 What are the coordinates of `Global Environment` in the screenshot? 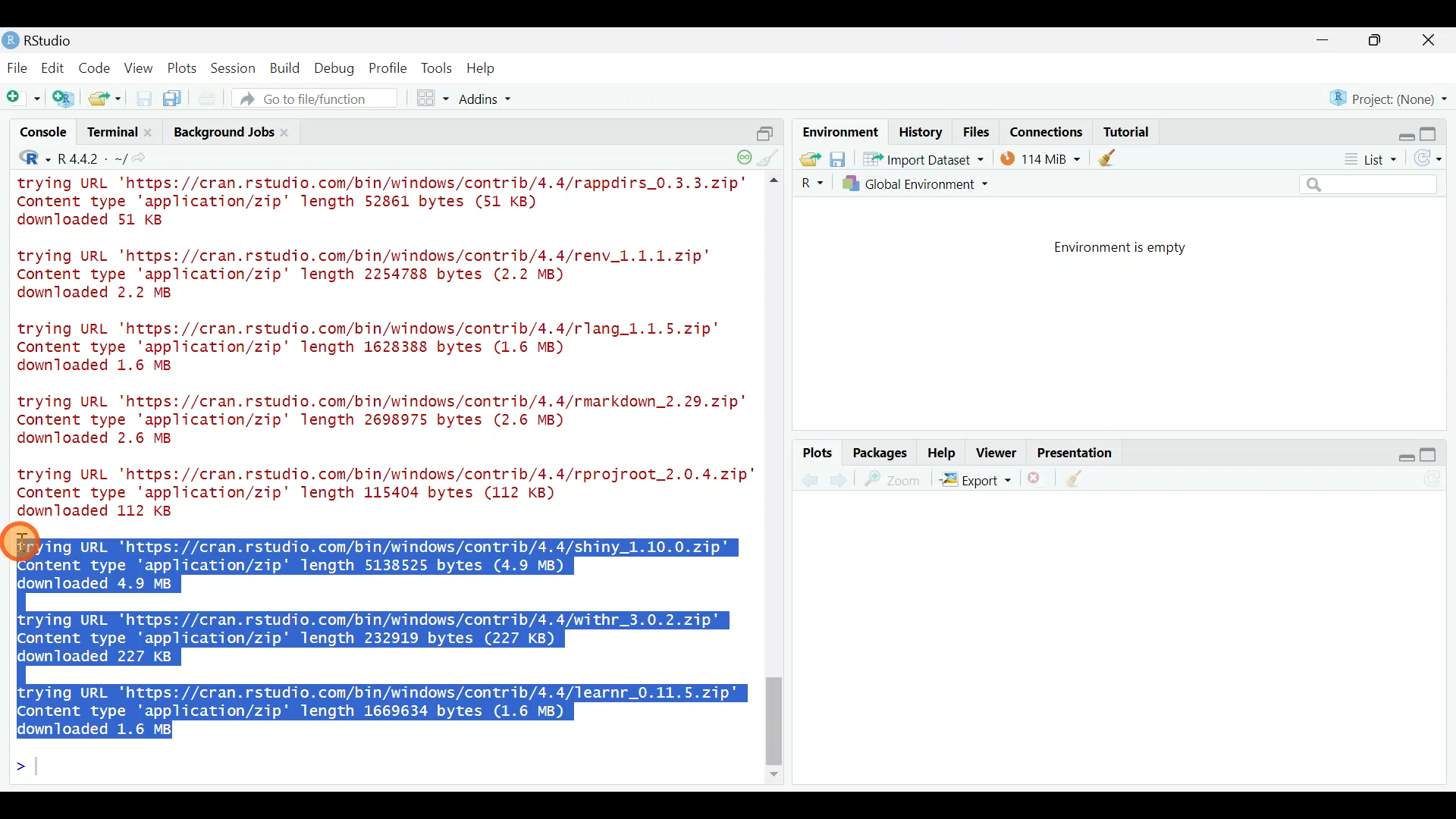 It's located at (927, 184).